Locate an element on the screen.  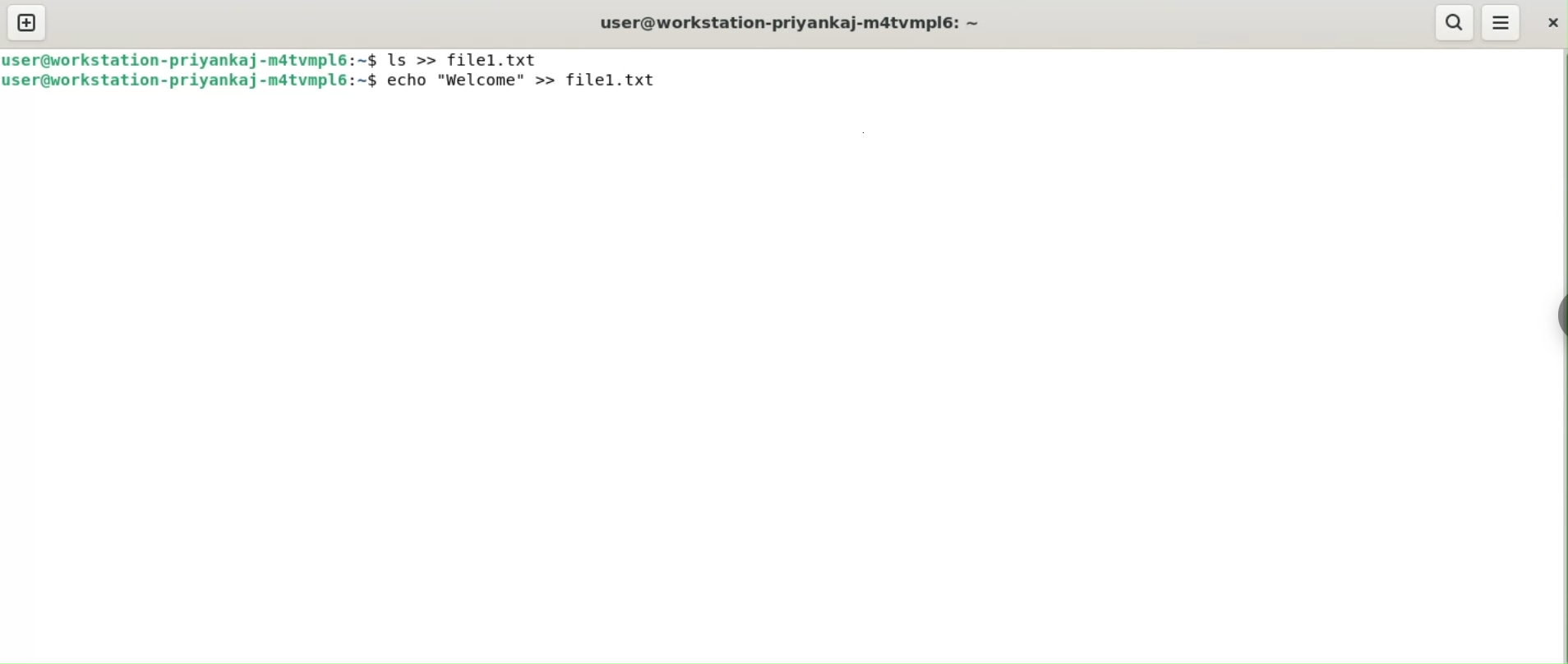
echo "Welcome" >> file1.txt is located at coordinates (532, 83).